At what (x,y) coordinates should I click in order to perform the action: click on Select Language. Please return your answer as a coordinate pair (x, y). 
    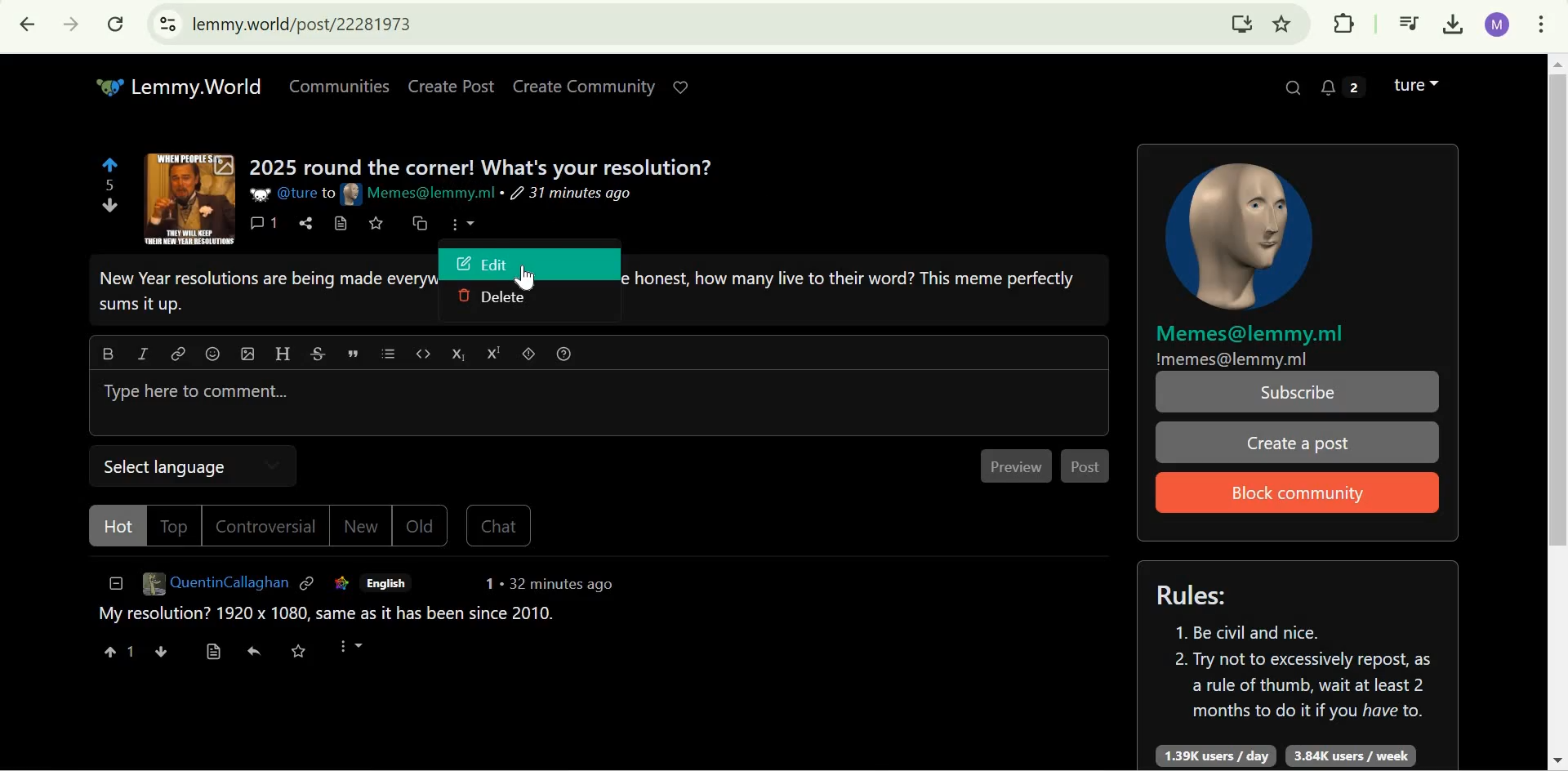
    Looking at the image, I should click on (194, 469).